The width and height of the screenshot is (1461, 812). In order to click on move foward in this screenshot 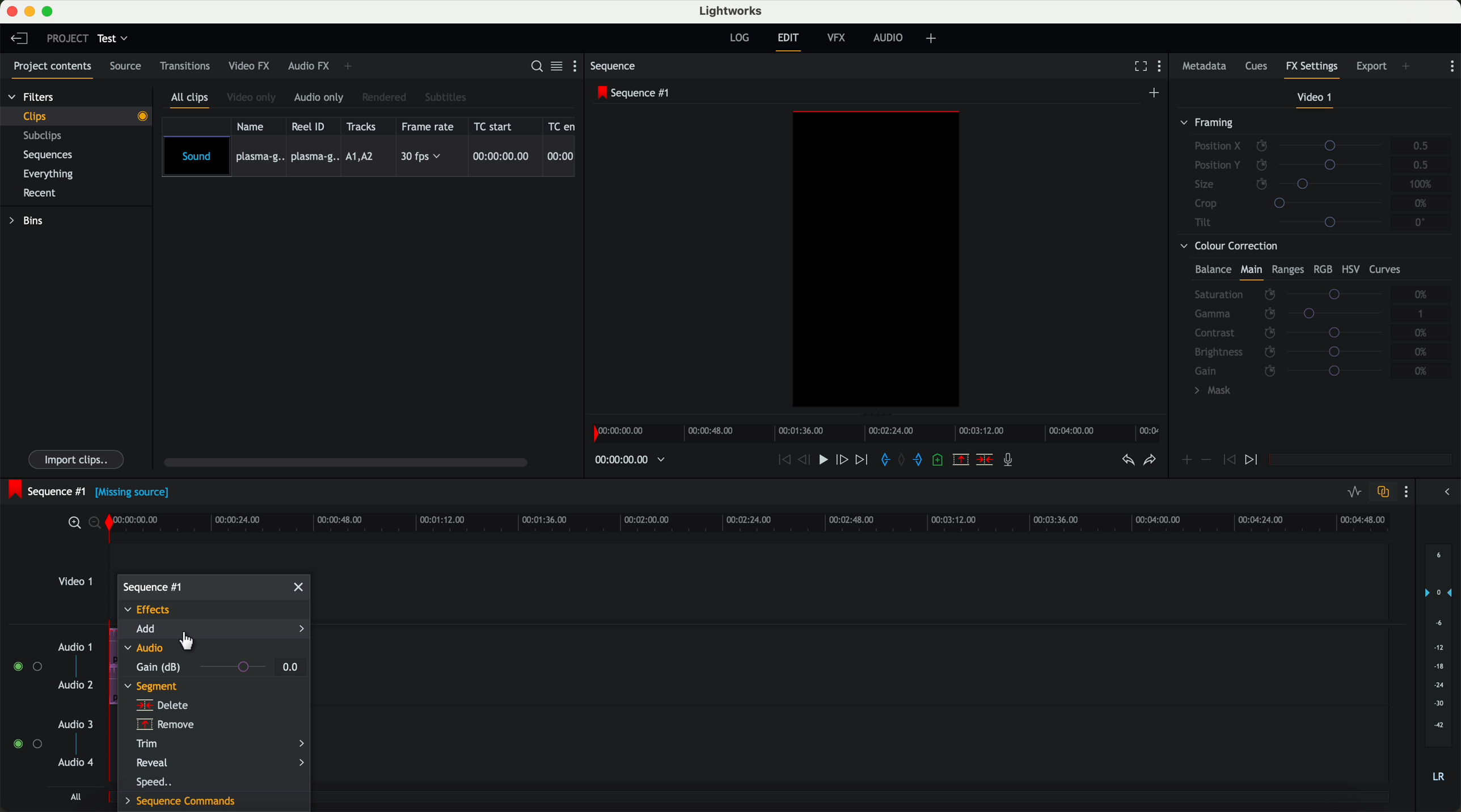, I will do `click(863, 460)`.